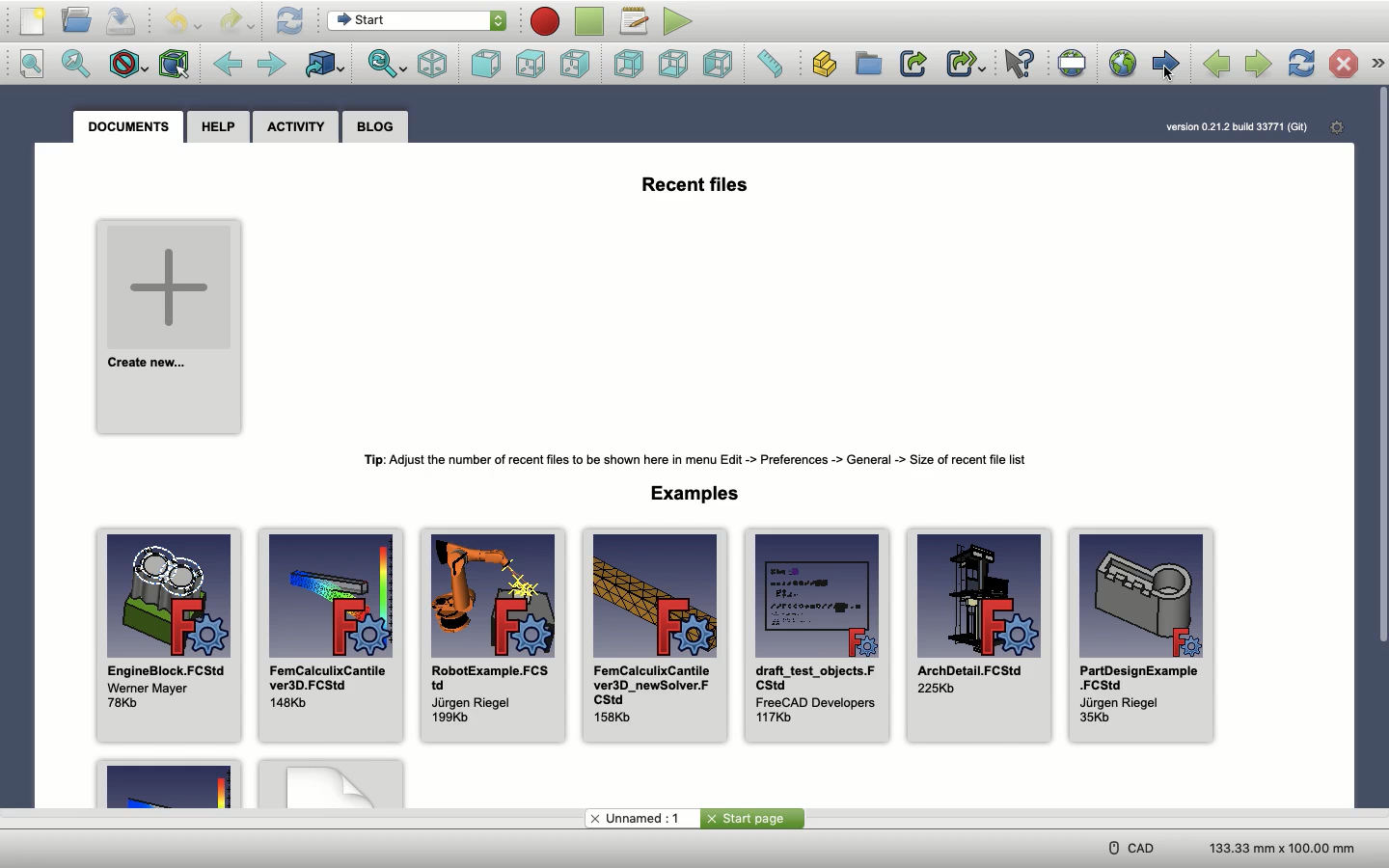 This screenshot has height=868, width=1389. What do you see at coordinates (636, 23) in the screenshot?
I see `Macros` at bounding box center [636, 23].